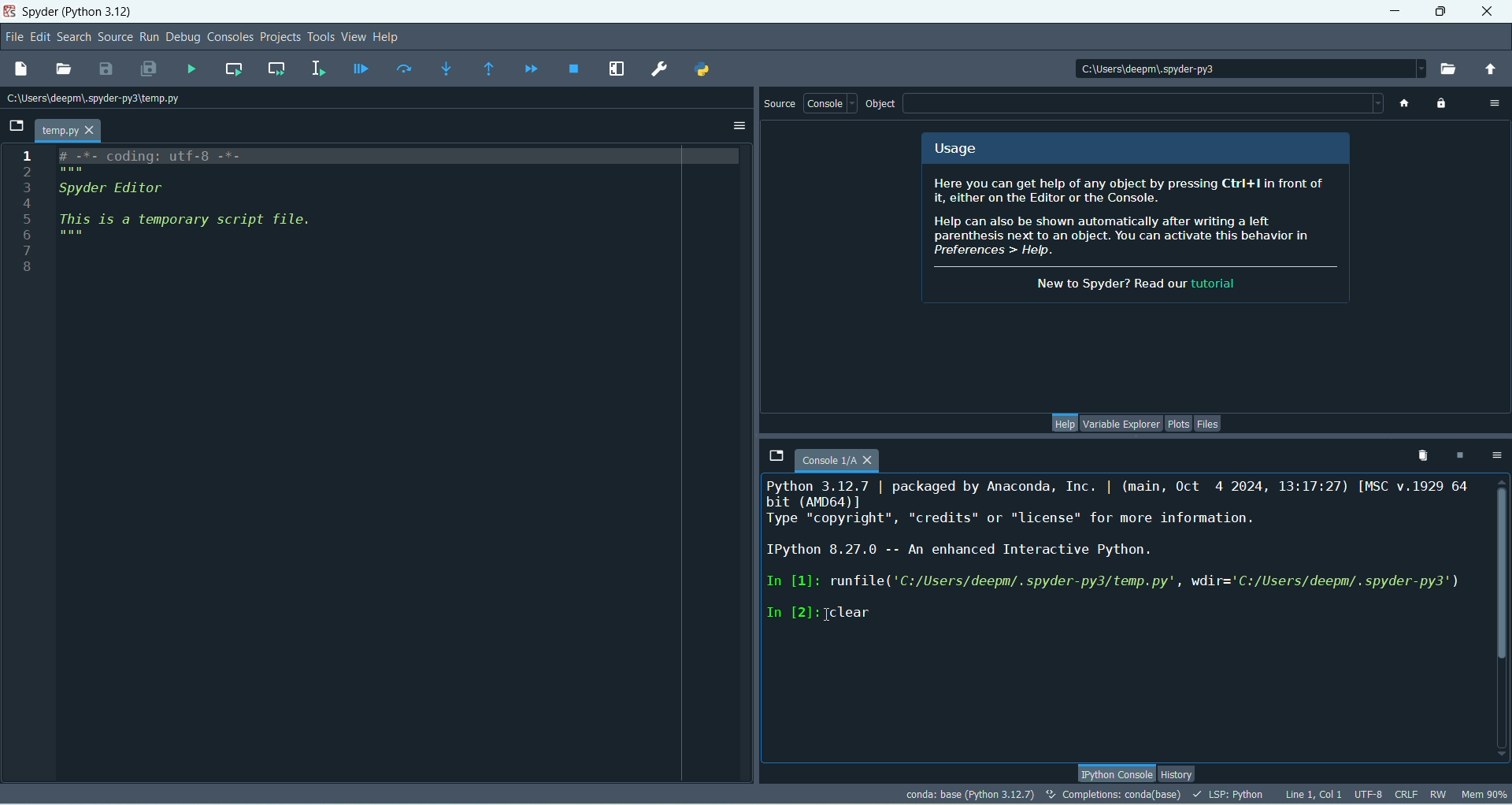 The height and width of the screenshot is (805, 1512). I want to click on maximize current pane, so click(617, 69).